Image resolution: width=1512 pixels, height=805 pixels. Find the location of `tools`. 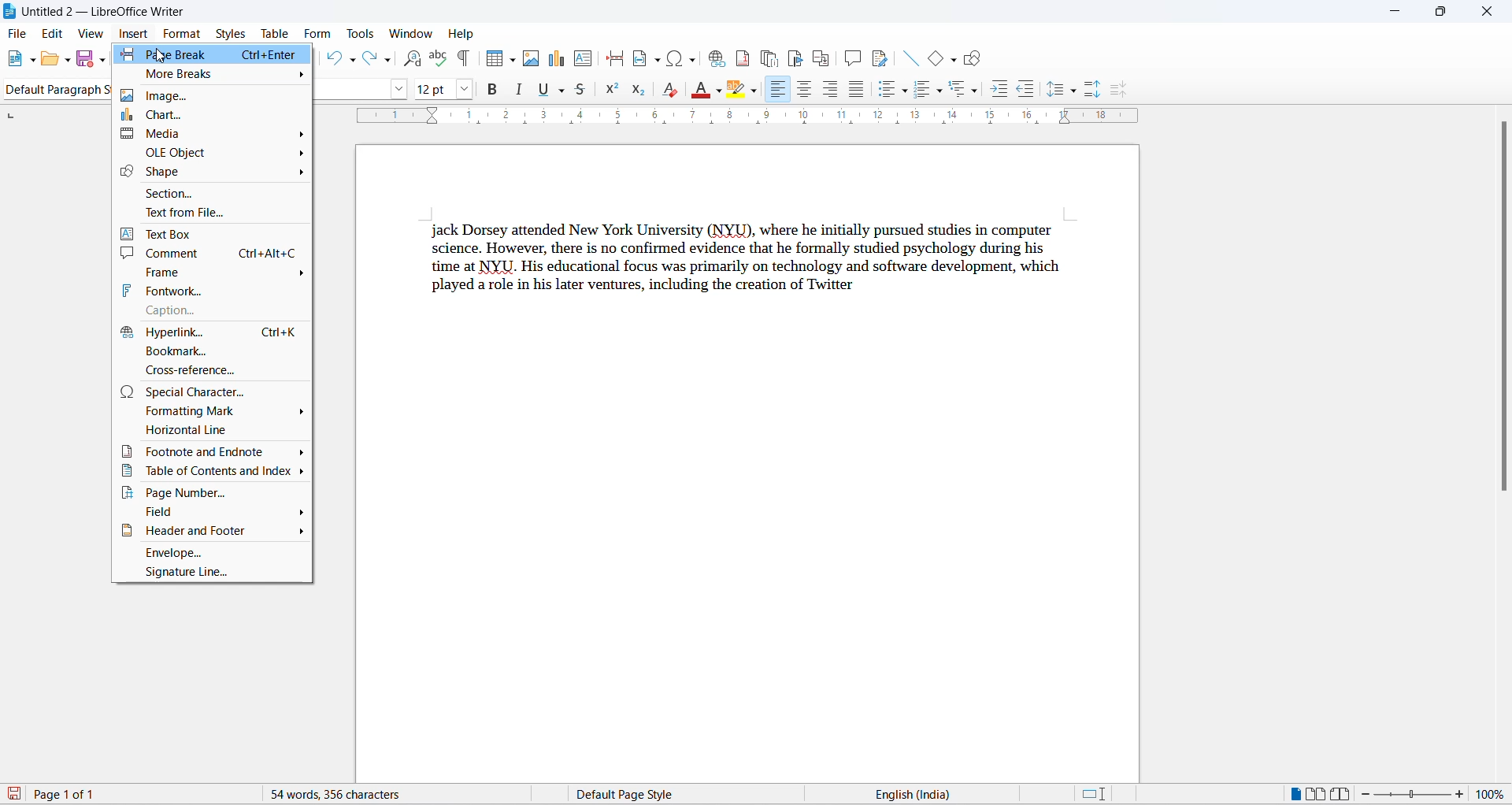

tools is located at coordinates (361, 34).